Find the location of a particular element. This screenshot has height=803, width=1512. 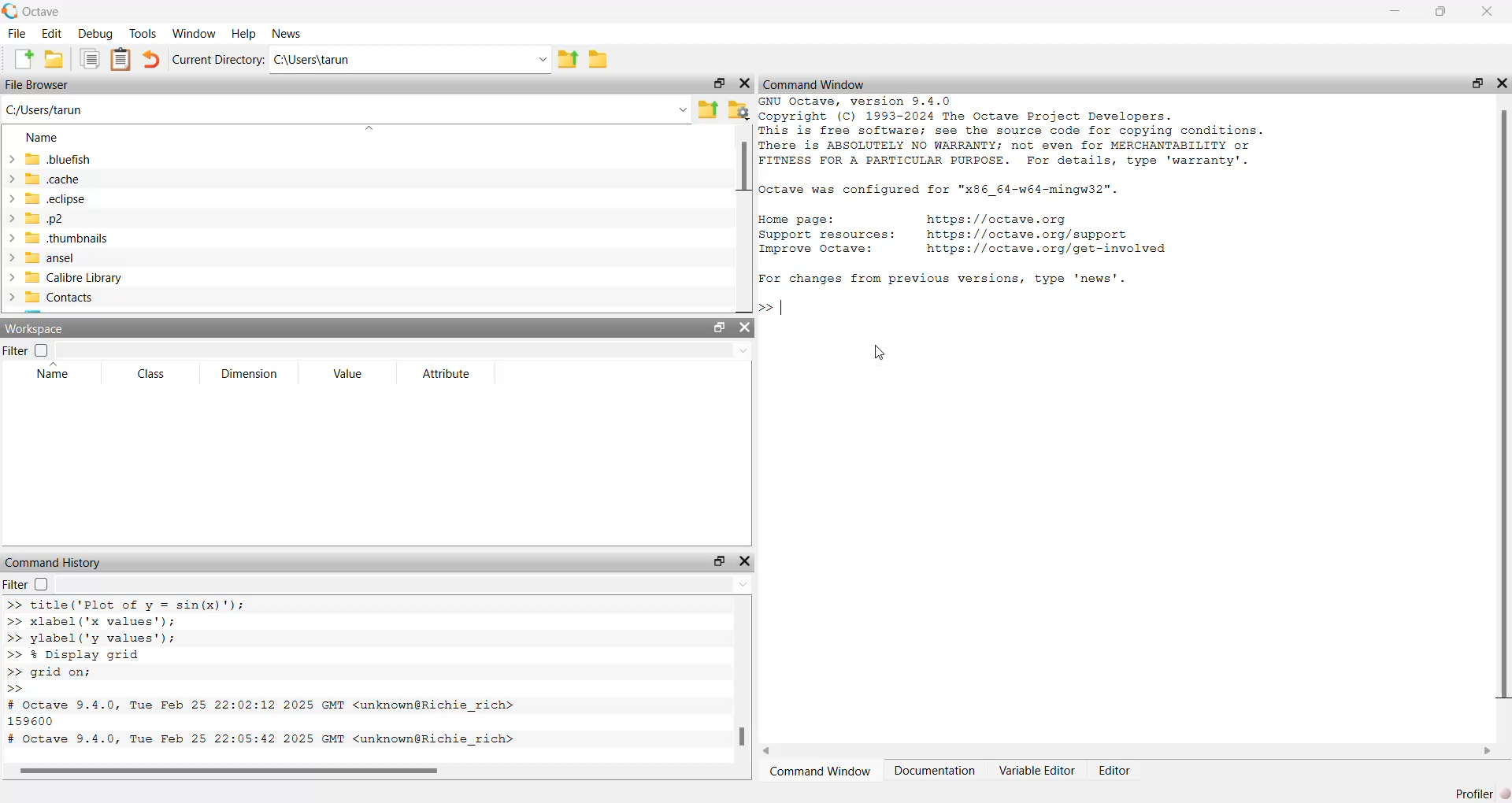

Octave is located at coordinates (42, 12).